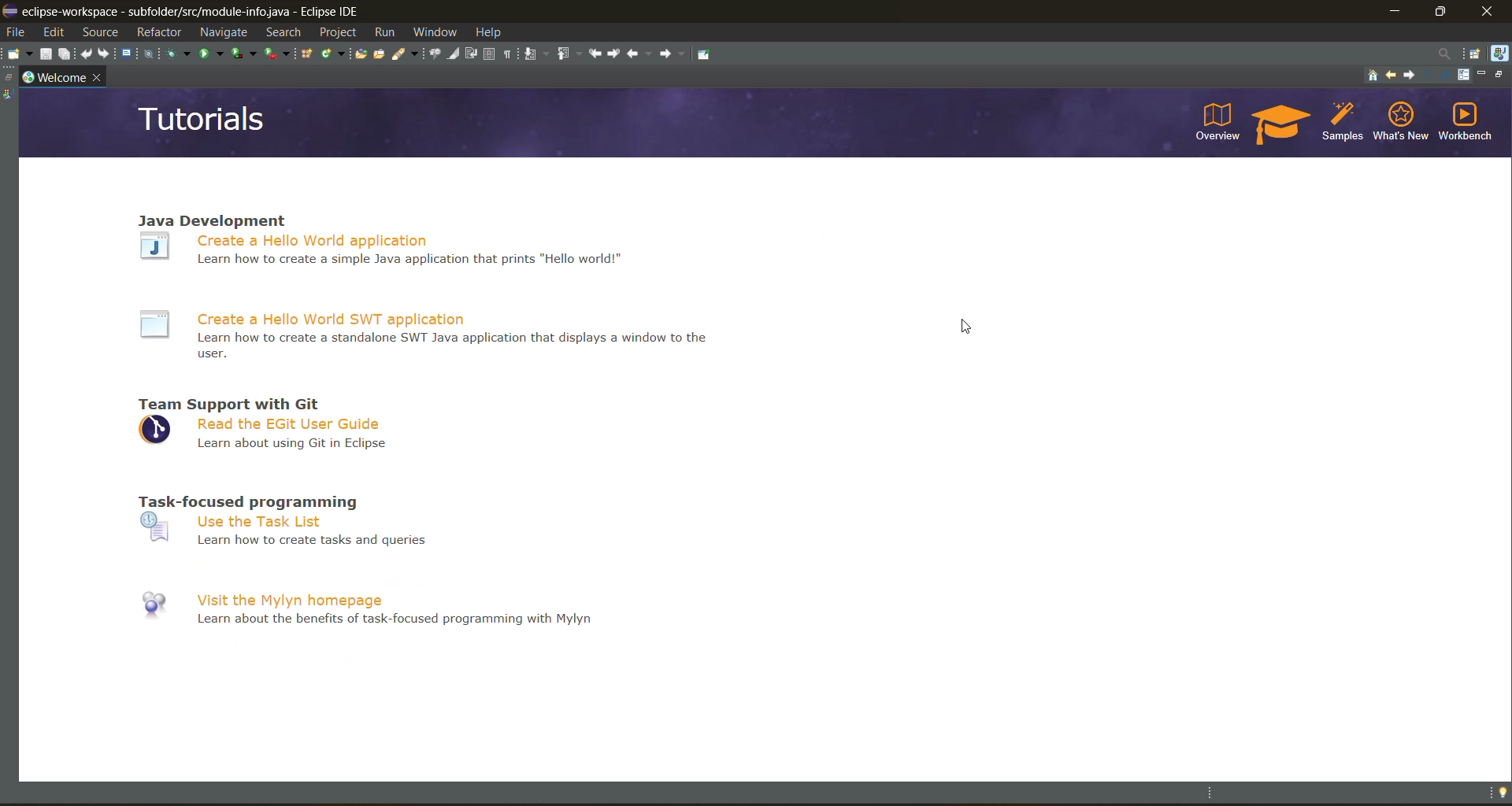  I want to click on debug, so click(180, 57).